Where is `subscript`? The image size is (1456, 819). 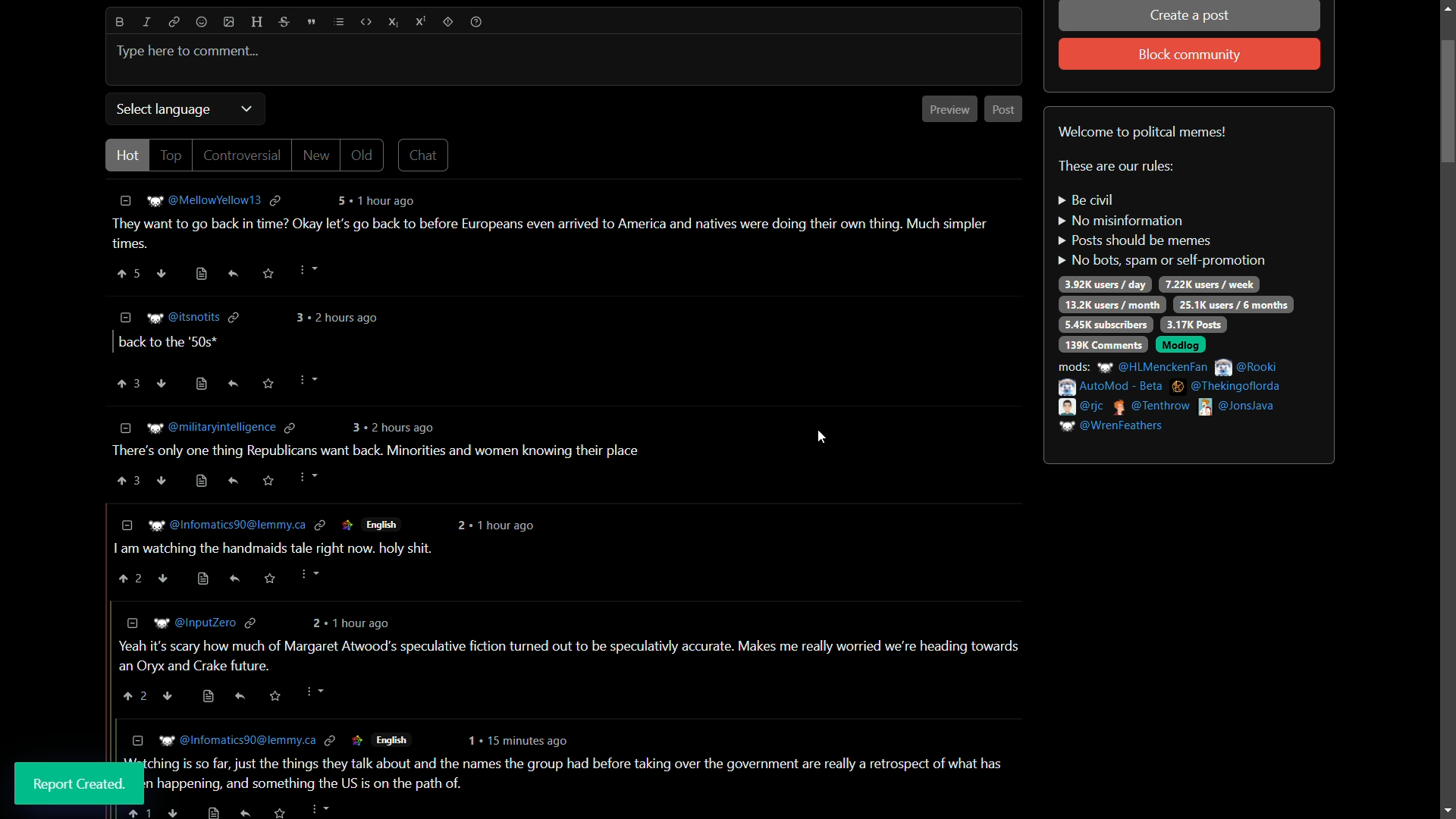 subscript is located at coordinates (394, 22).